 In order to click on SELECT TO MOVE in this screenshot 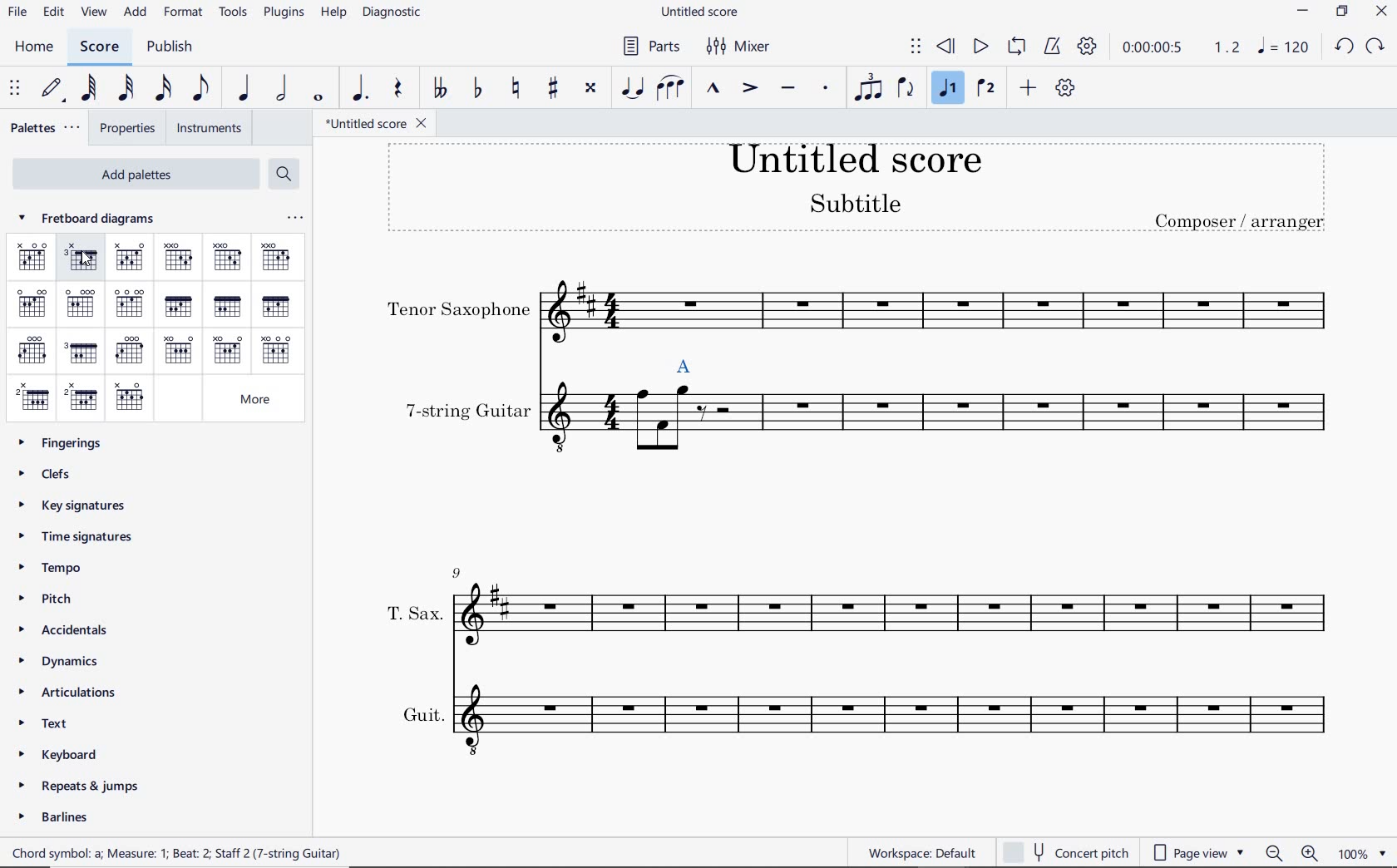, I will do `click(916, 47)`.